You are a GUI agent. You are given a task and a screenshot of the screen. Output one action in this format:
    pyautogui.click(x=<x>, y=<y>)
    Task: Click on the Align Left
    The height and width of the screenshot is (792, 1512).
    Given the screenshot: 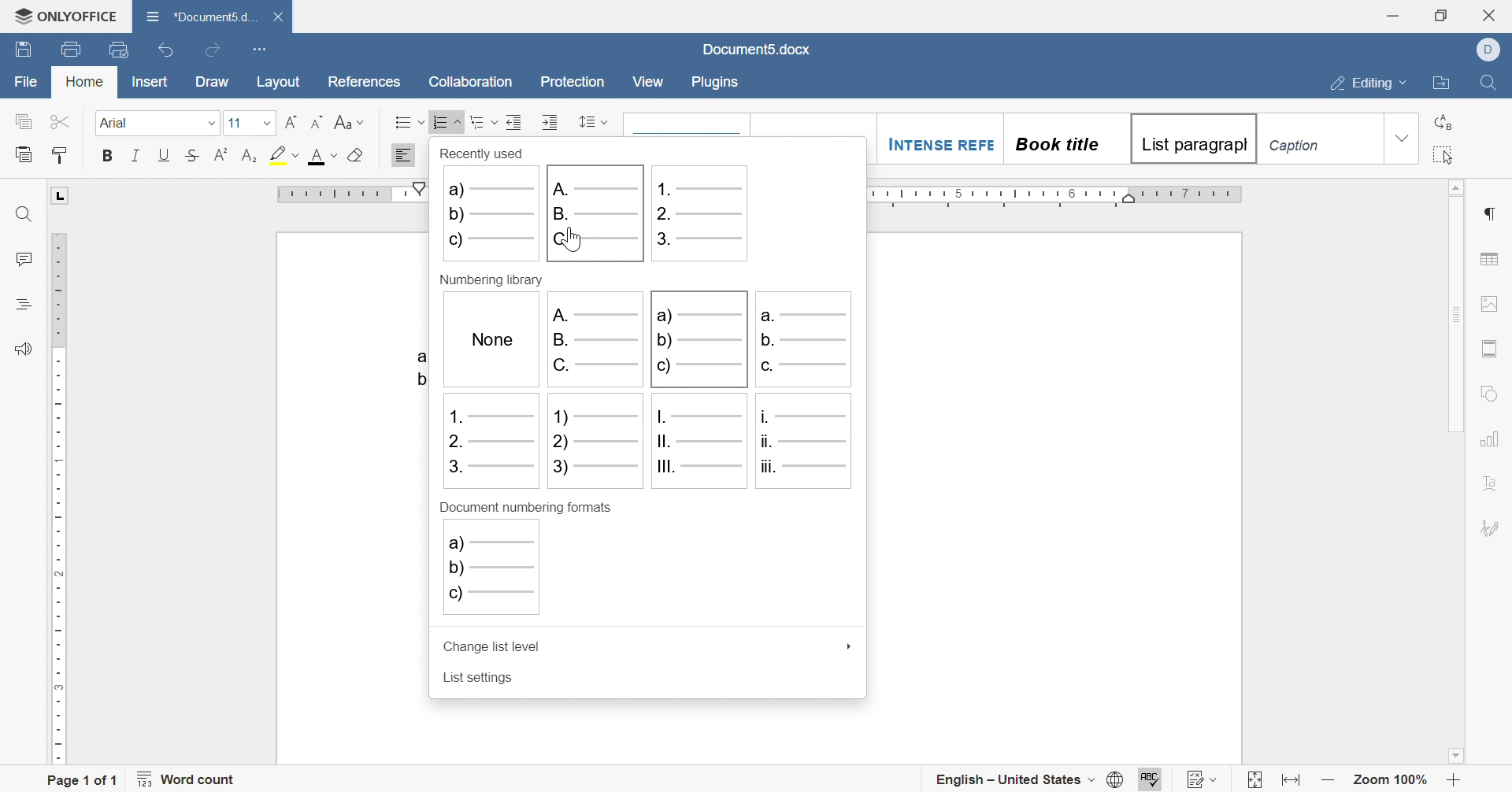 What is the action you would take?
    pyautogui.click(x=404, y=154)
    